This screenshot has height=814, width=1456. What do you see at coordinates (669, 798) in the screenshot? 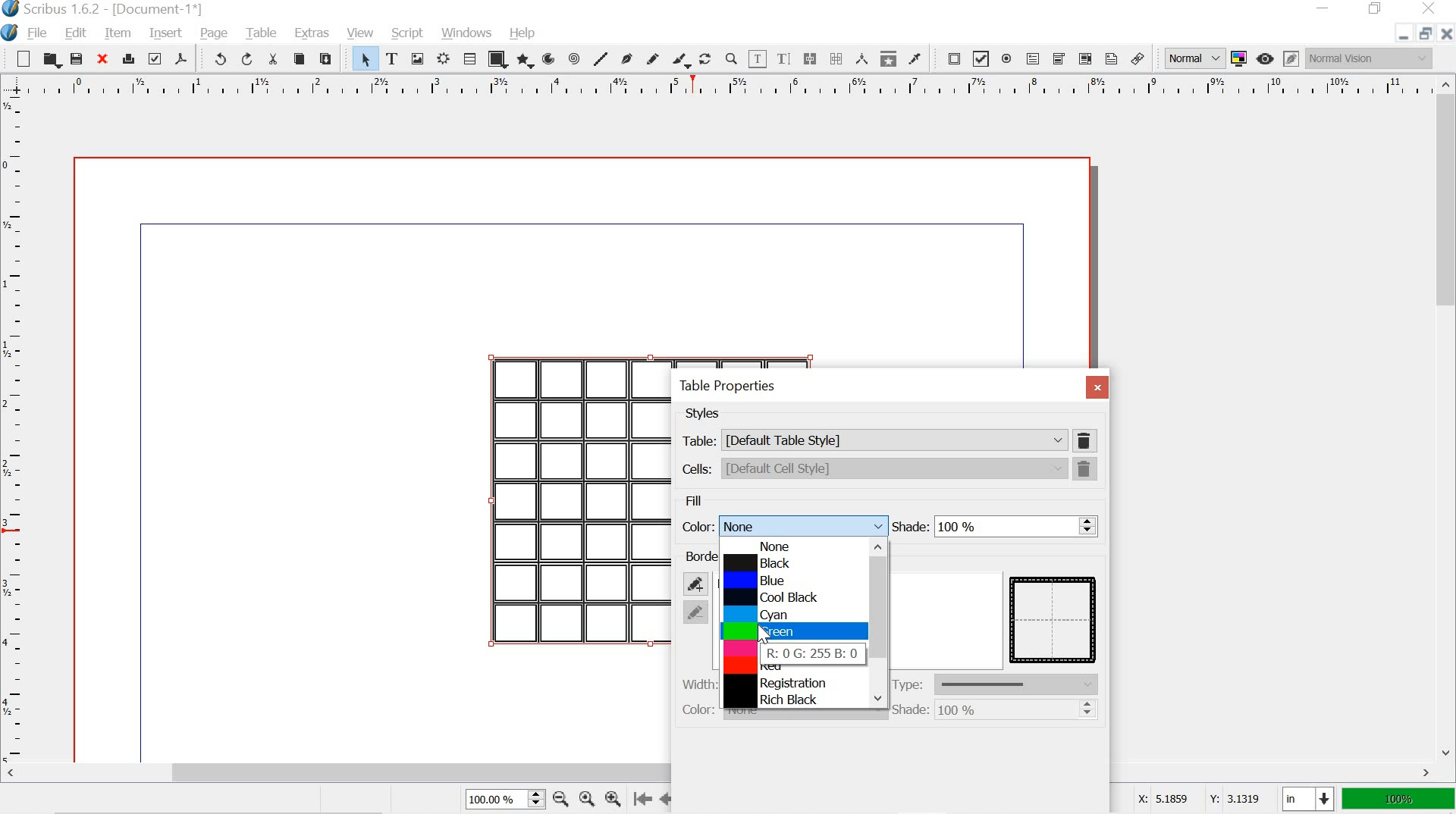
I see `go to the perious page` at bounding box center [669, 798].